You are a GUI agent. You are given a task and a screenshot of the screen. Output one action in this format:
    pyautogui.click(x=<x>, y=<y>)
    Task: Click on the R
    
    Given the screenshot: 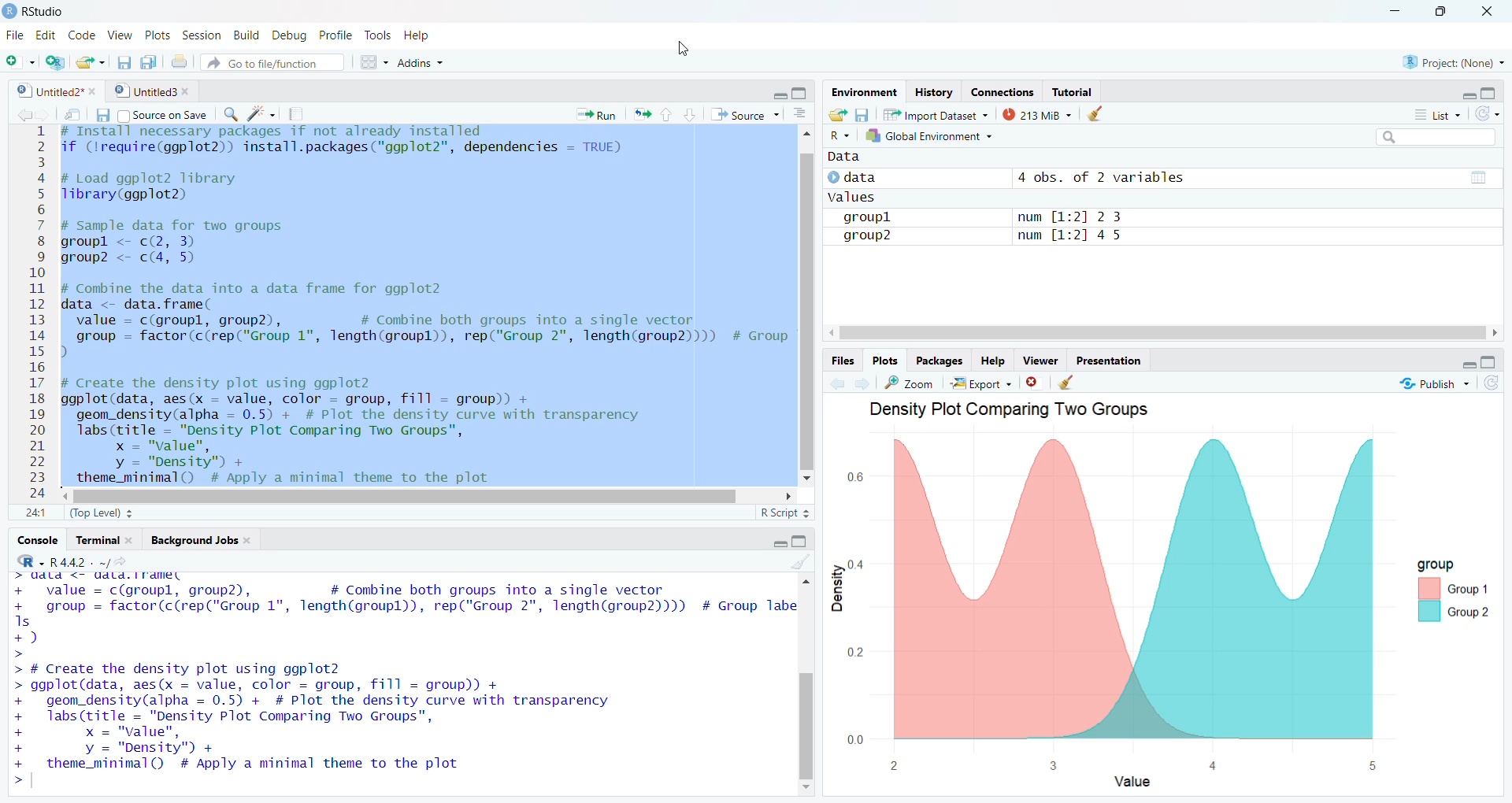 What is the action you would take?
    pyautogui.click(x=839, y=136)
    